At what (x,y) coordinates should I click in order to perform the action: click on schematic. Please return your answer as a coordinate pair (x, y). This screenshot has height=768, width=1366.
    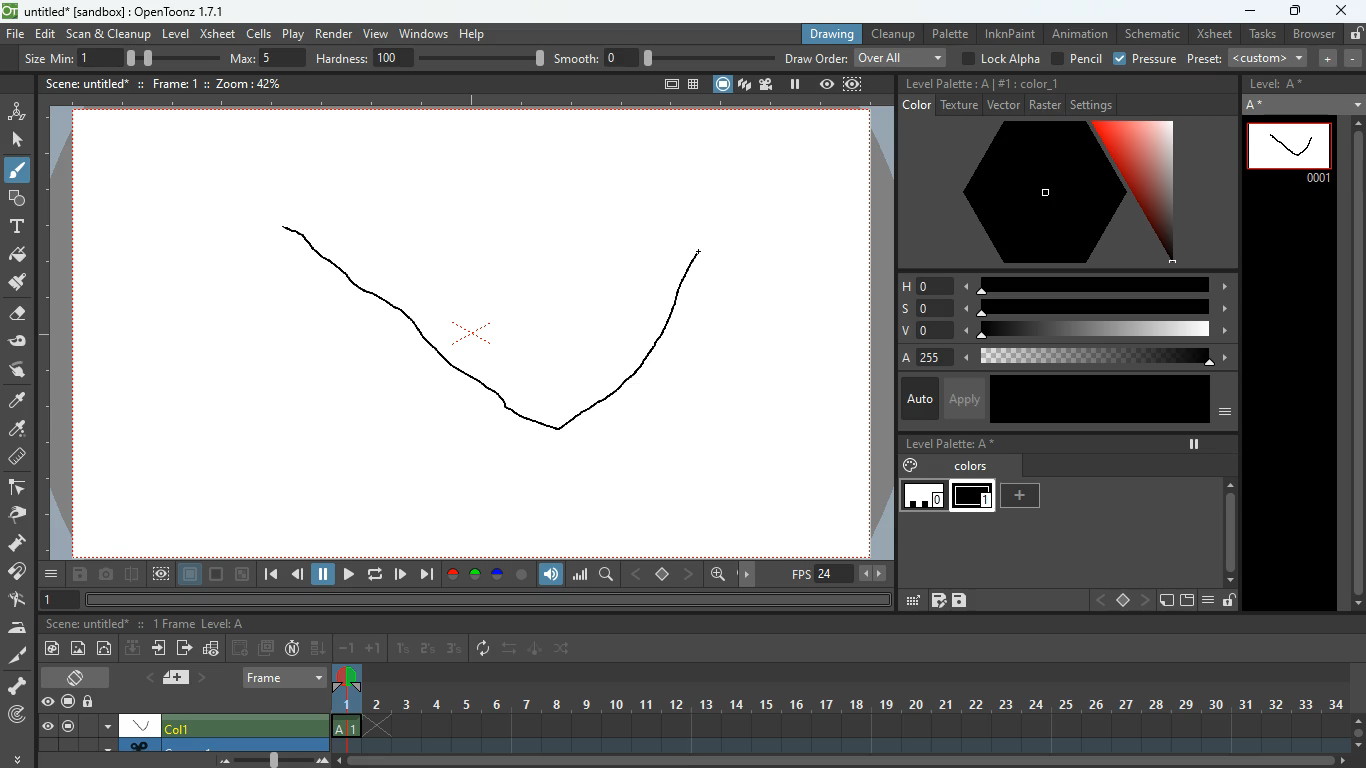
    Looking at the image, I should click on (1152, 34).